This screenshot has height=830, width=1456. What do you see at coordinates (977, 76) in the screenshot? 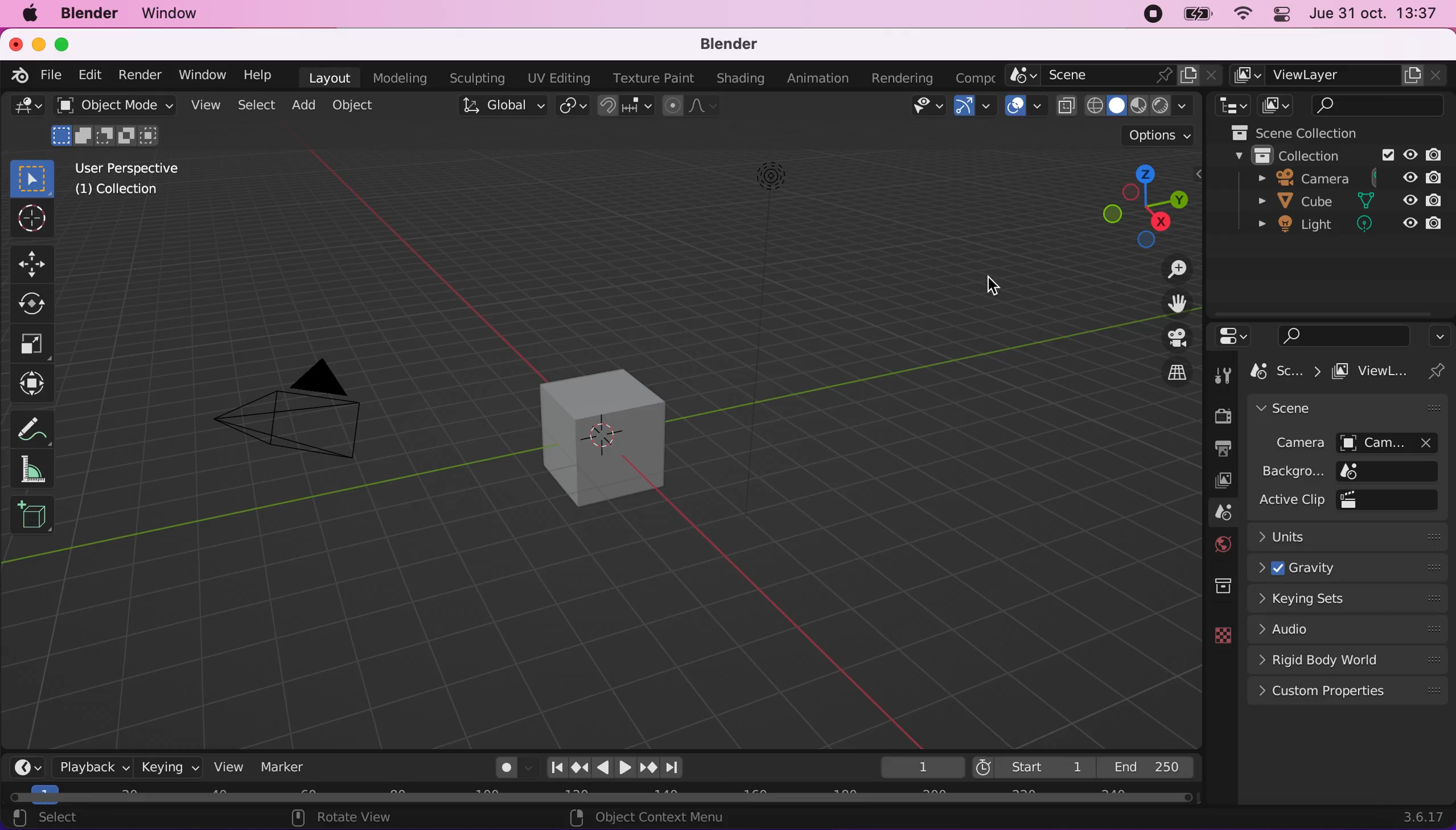
I see `composting` at bounding box center [977, 76].